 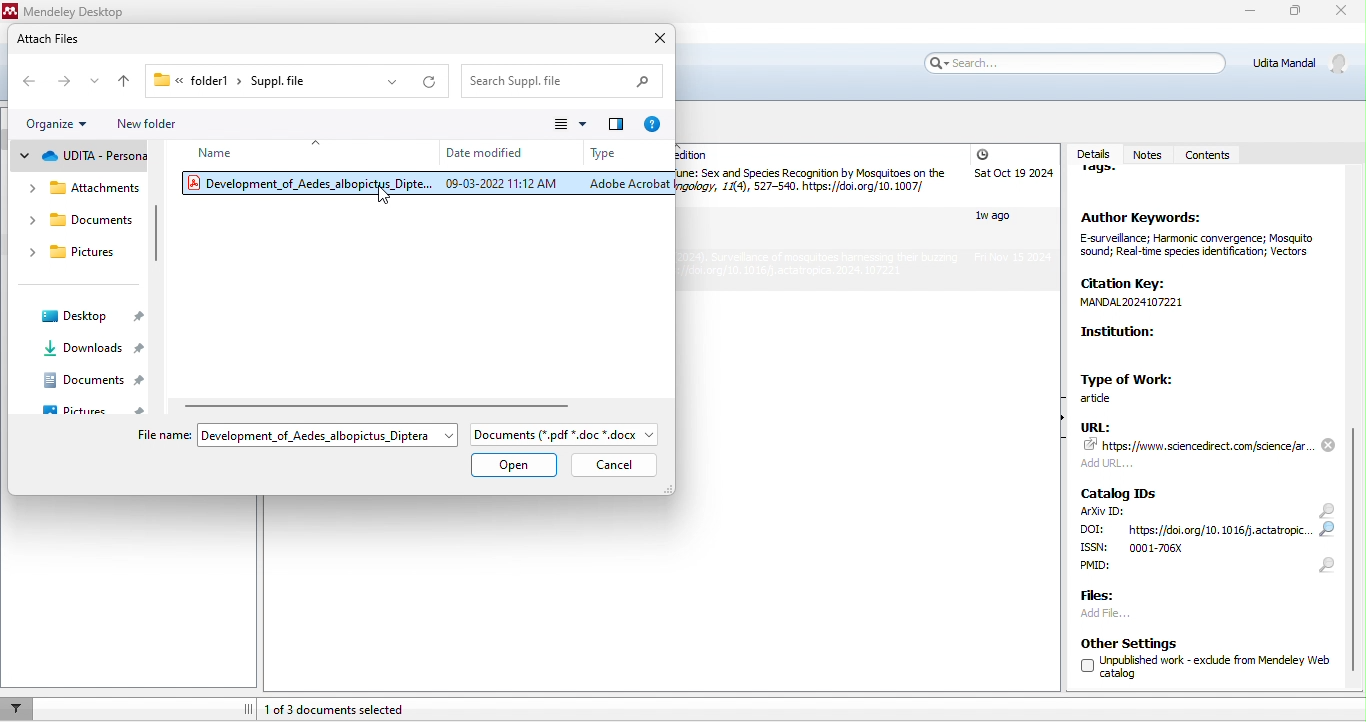 What do you see at coordinates (388, 404) in the screenshot?
I see `horizontal slider` at bounding box center [388, 404].